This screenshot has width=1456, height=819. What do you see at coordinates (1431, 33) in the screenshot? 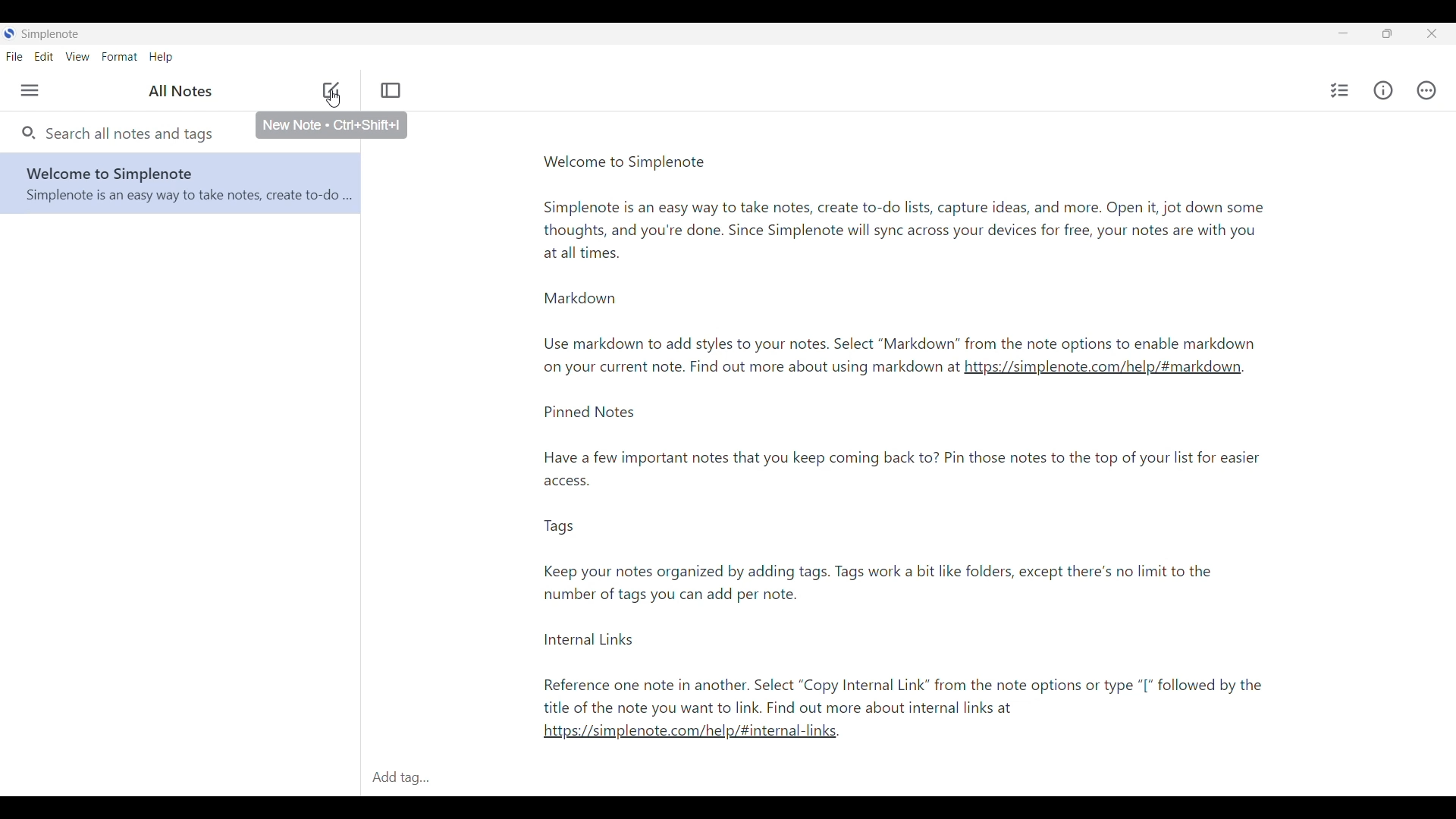
I see `Close` at bounding box center [1431, 33].